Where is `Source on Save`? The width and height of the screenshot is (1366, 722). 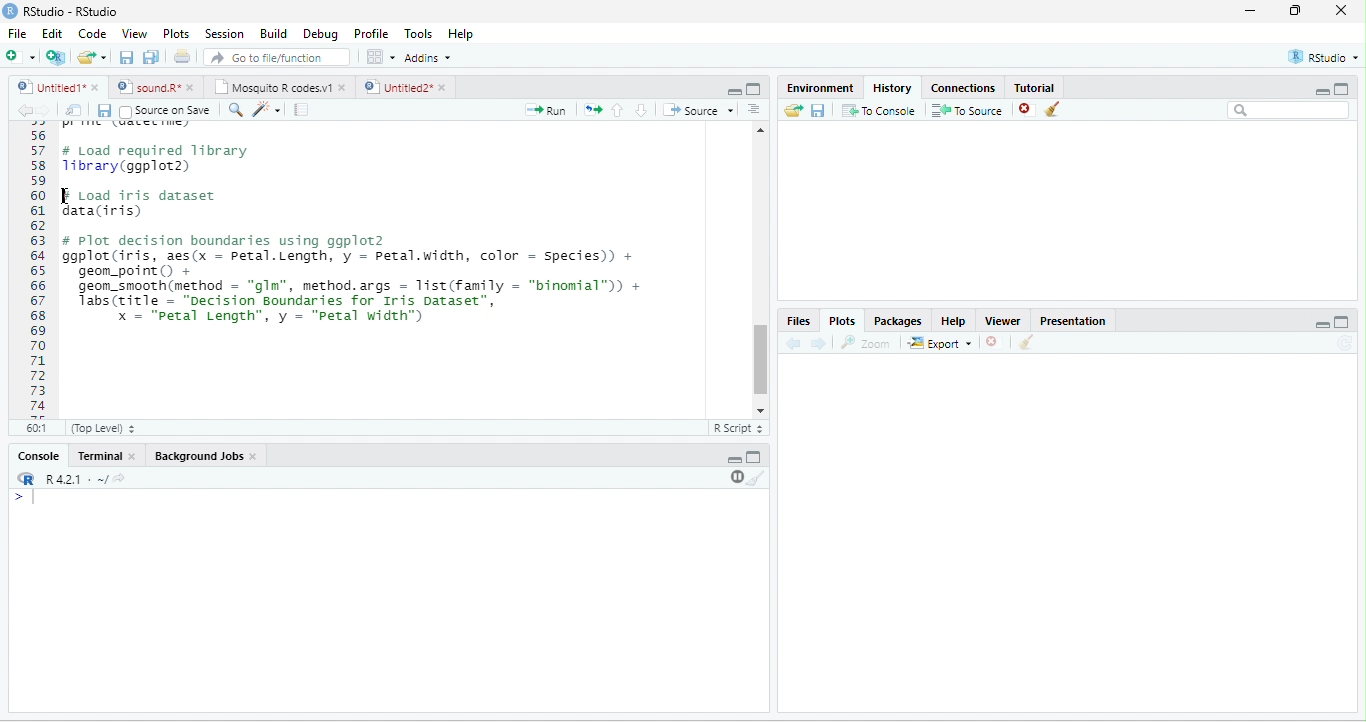
Source on Save is located at coordinates (164, 111).